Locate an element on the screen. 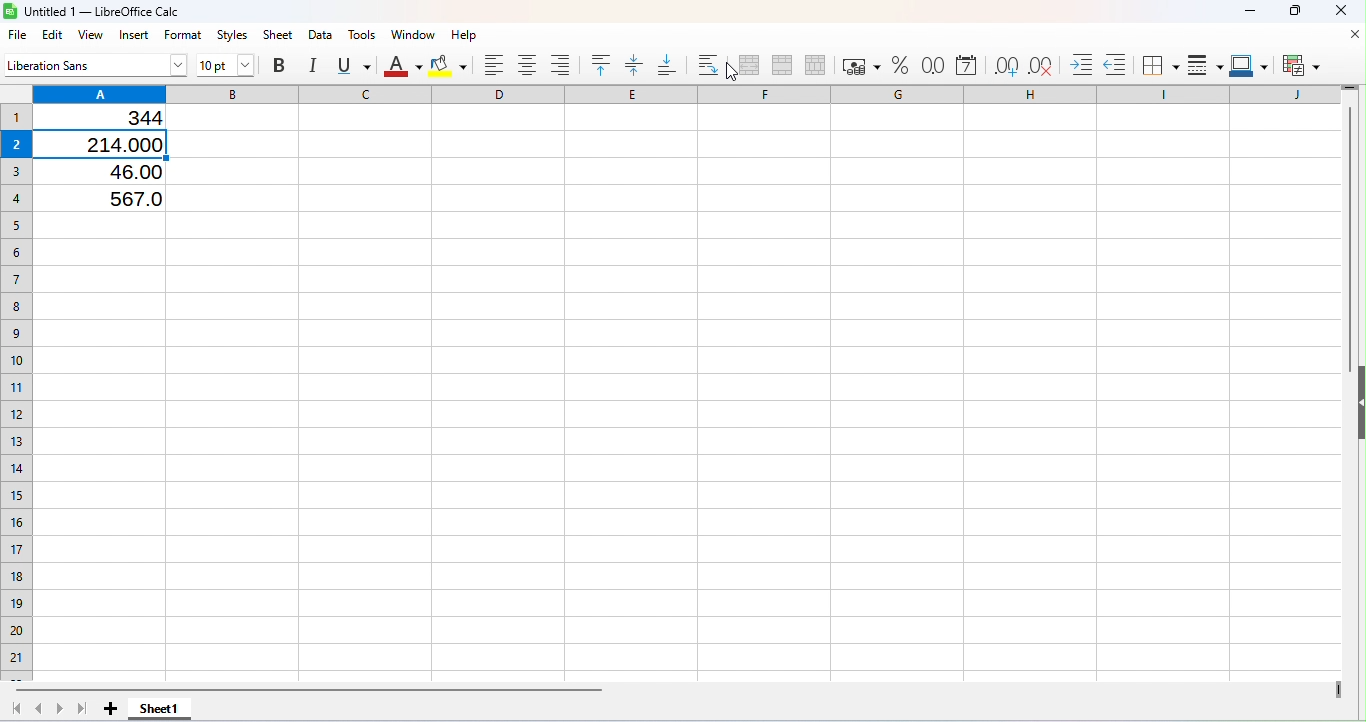 This screenshot has height=722, width=1366. 214.00 is located at coordinates (118, 142).